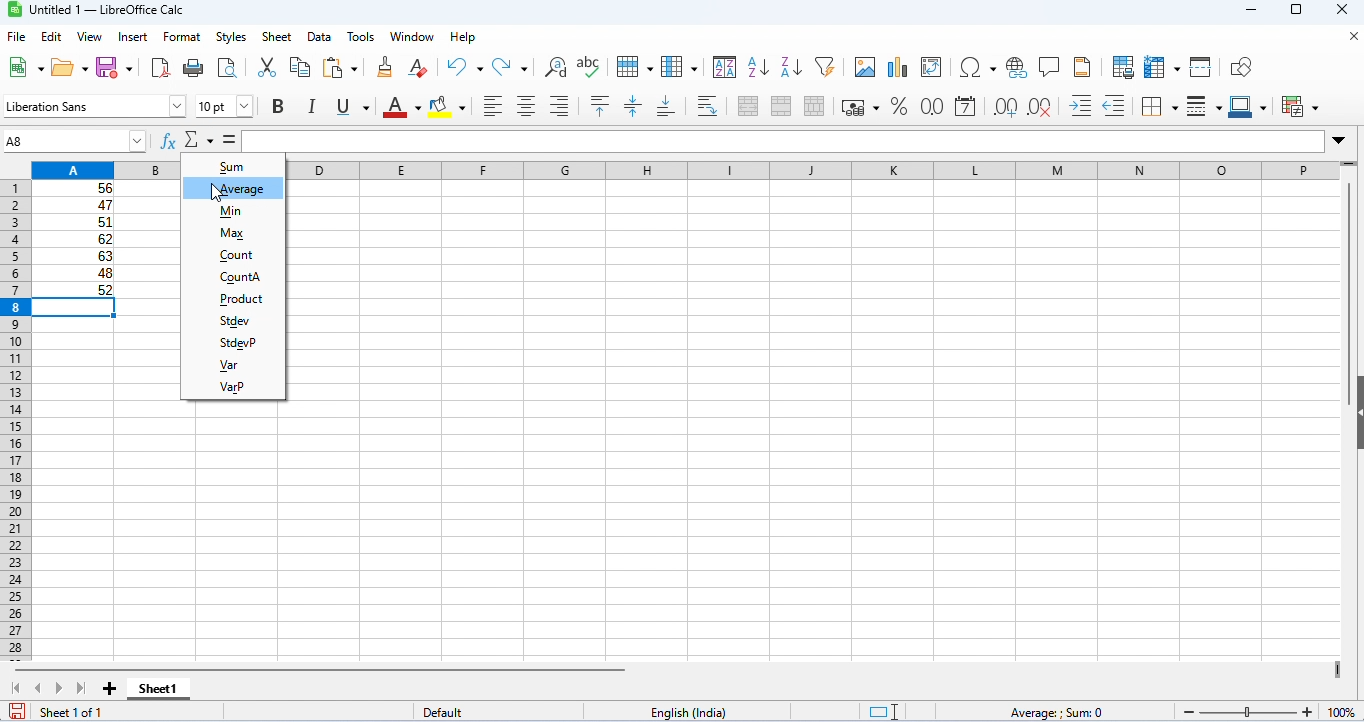  Describe the element at coordinates (231, 37) in the screenshot. I see `styles` at that location.